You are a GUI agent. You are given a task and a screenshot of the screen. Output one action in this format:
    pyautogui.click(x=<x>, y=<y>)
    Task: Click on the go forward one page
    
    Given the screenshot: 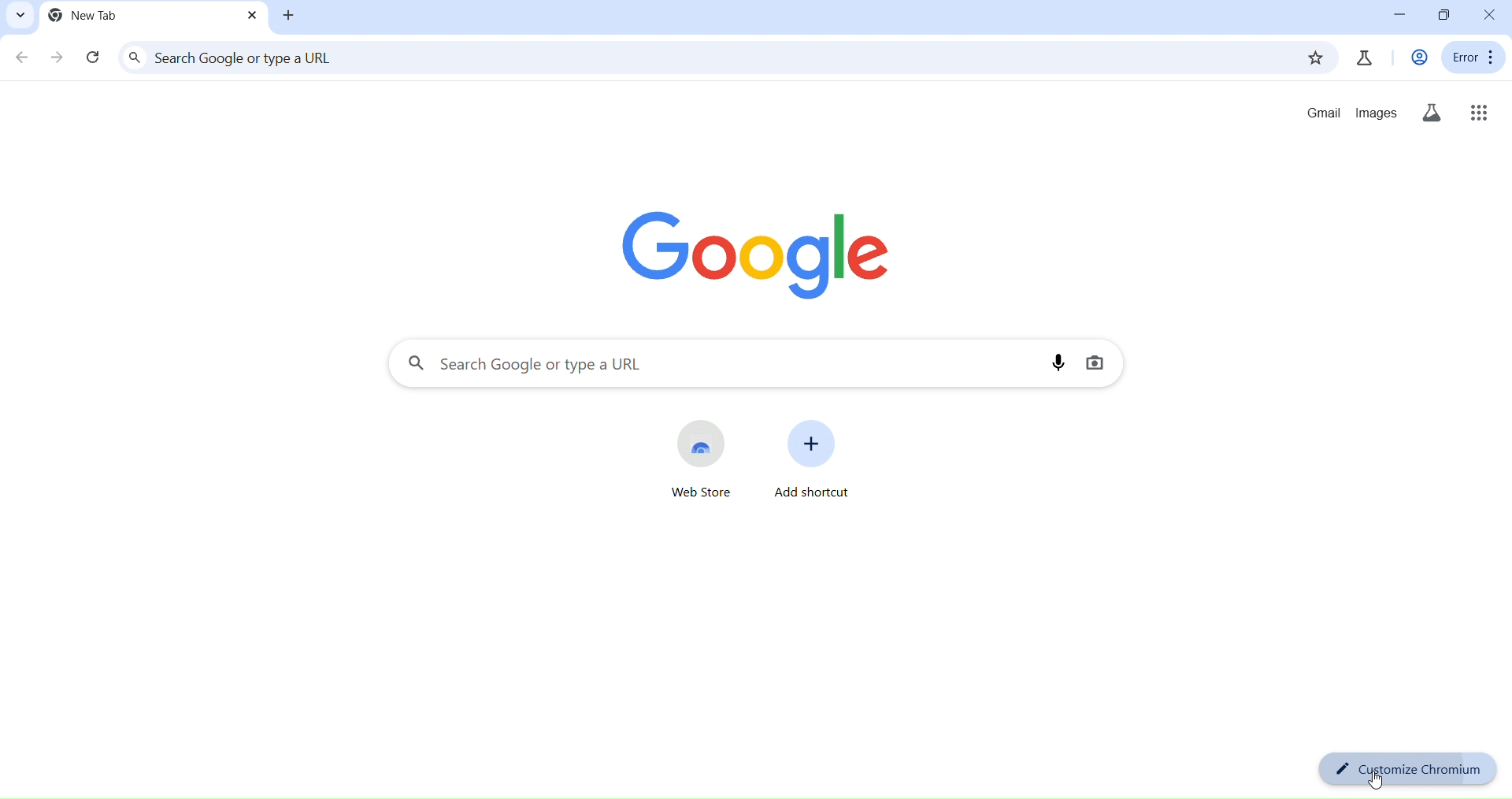 What is the action you would take?
    pyautogui.click(x=60, y=58)
    